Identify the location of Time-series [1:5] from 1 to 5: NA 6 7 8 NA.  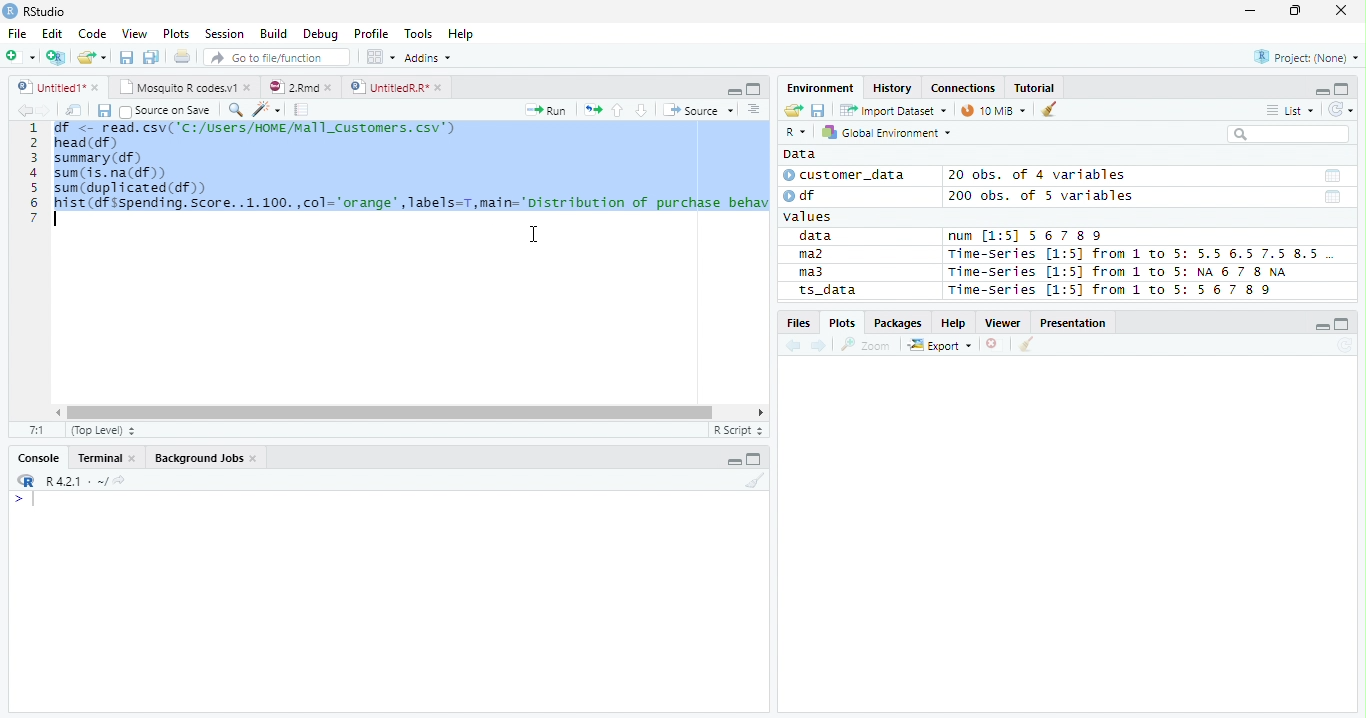
(1126, 273).